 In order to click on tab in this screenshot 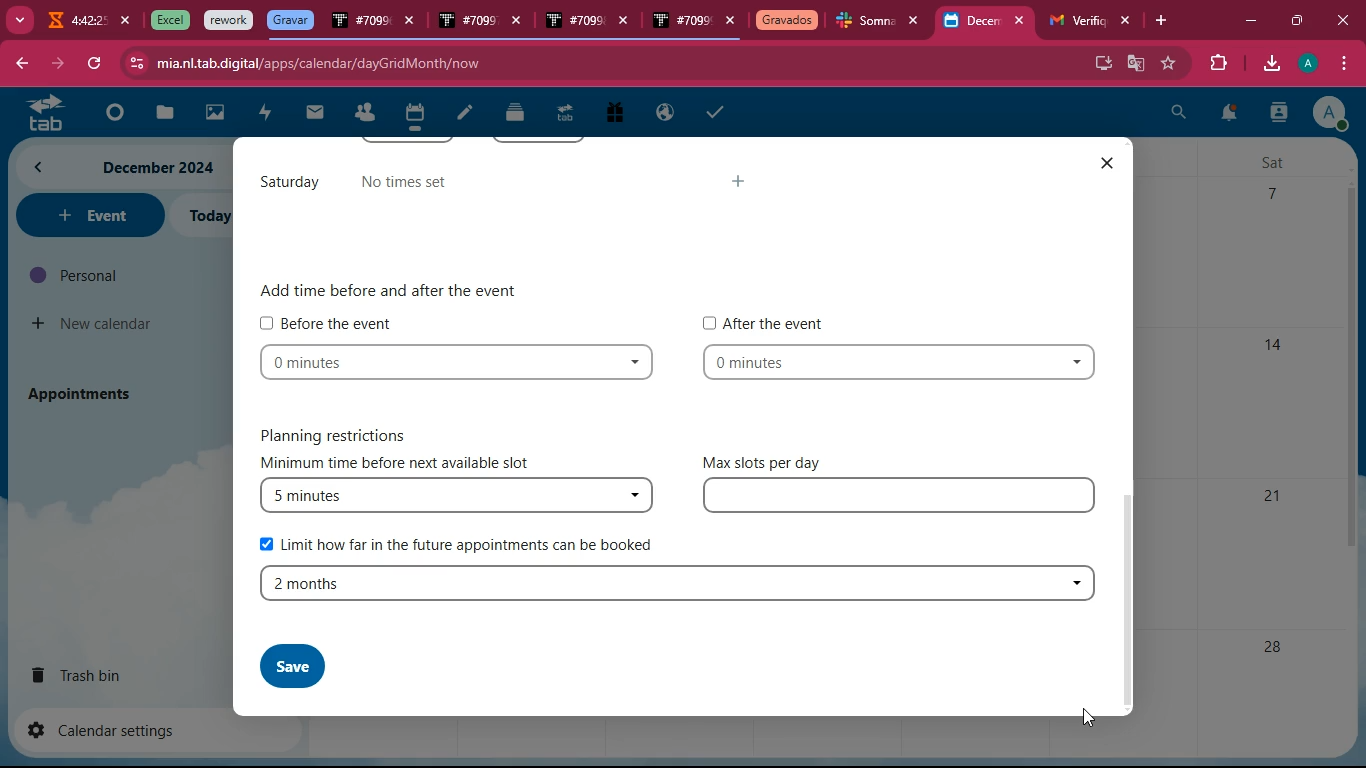, I will do `click(74, 23)`.